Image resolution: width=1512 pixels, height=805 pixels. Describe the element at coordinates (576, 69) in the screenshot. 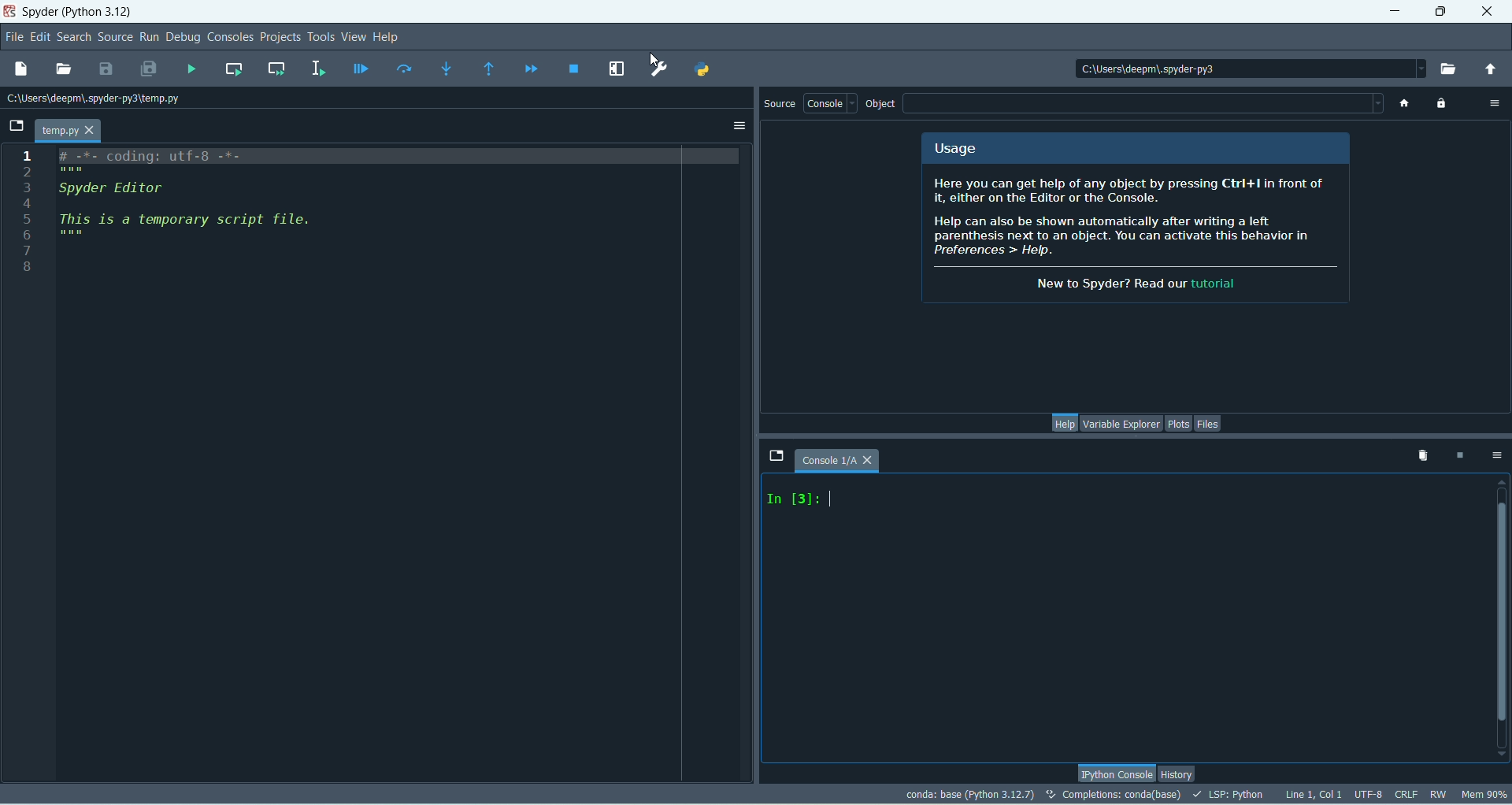

I see `stop debugging` at that location.